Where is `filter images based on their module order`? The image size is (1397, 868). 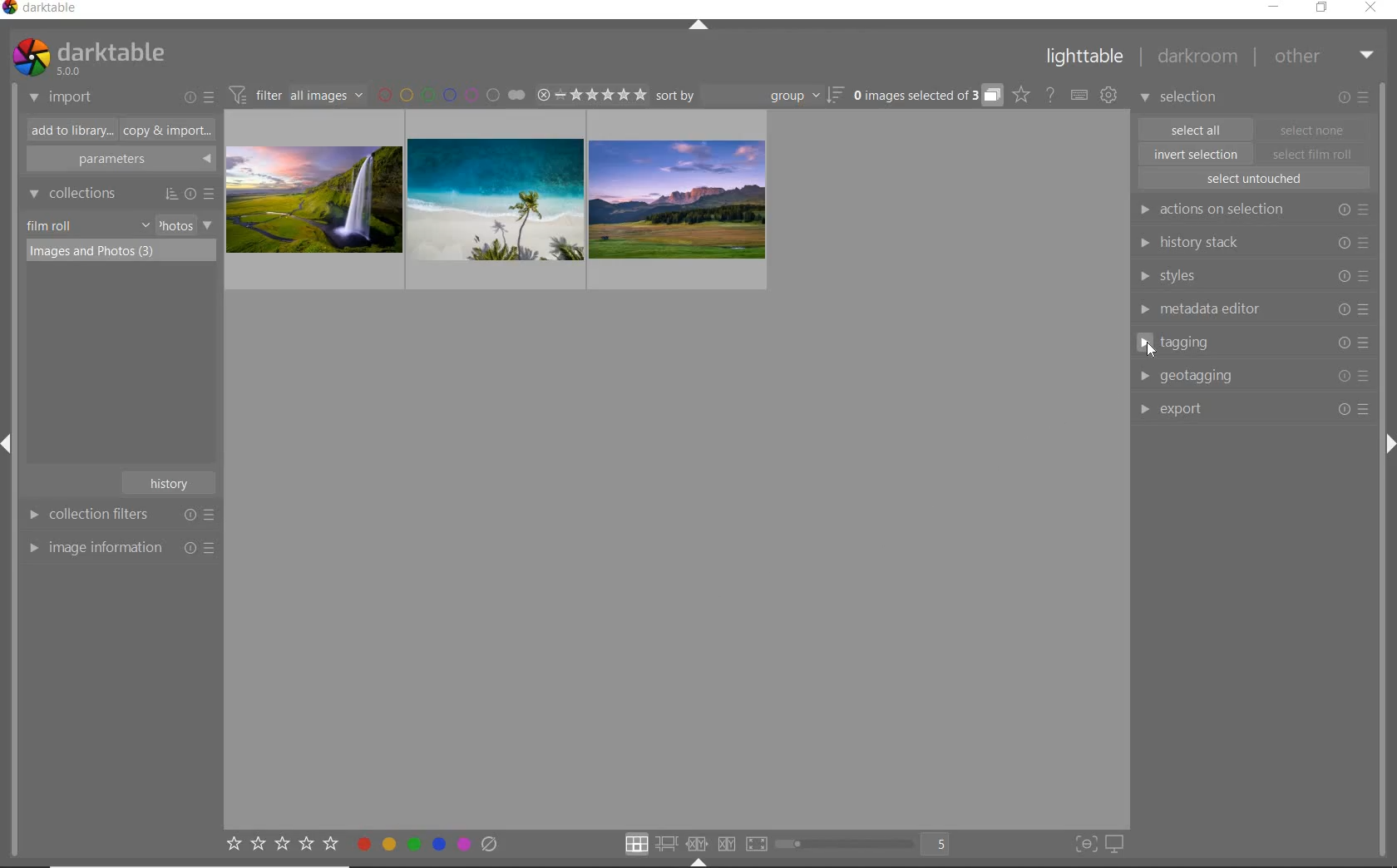 filter images based on their module order is located at coordinates (294, 93).